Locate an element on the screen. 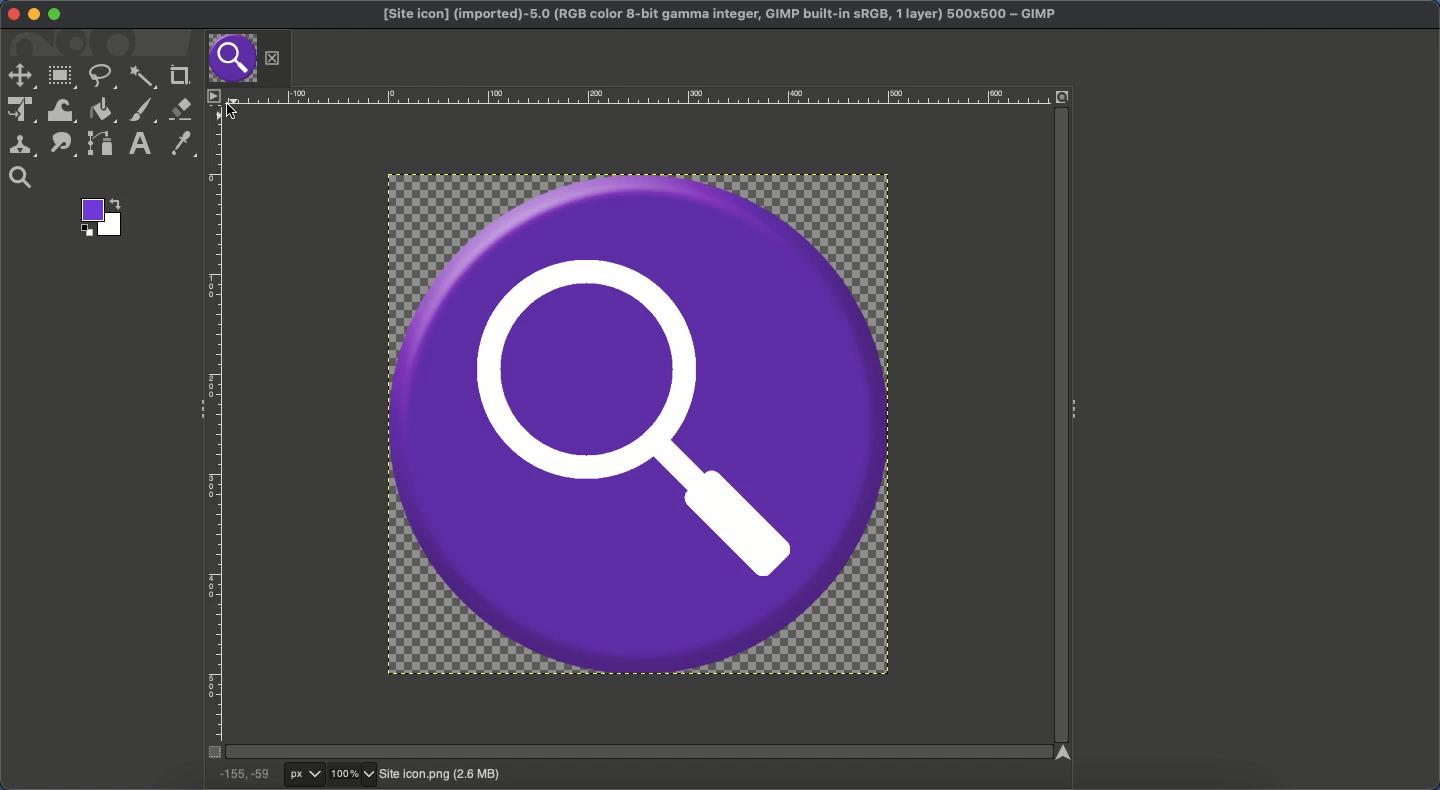 The image size is (1440, 790). Scroll is located at coordinates (1058, 427).